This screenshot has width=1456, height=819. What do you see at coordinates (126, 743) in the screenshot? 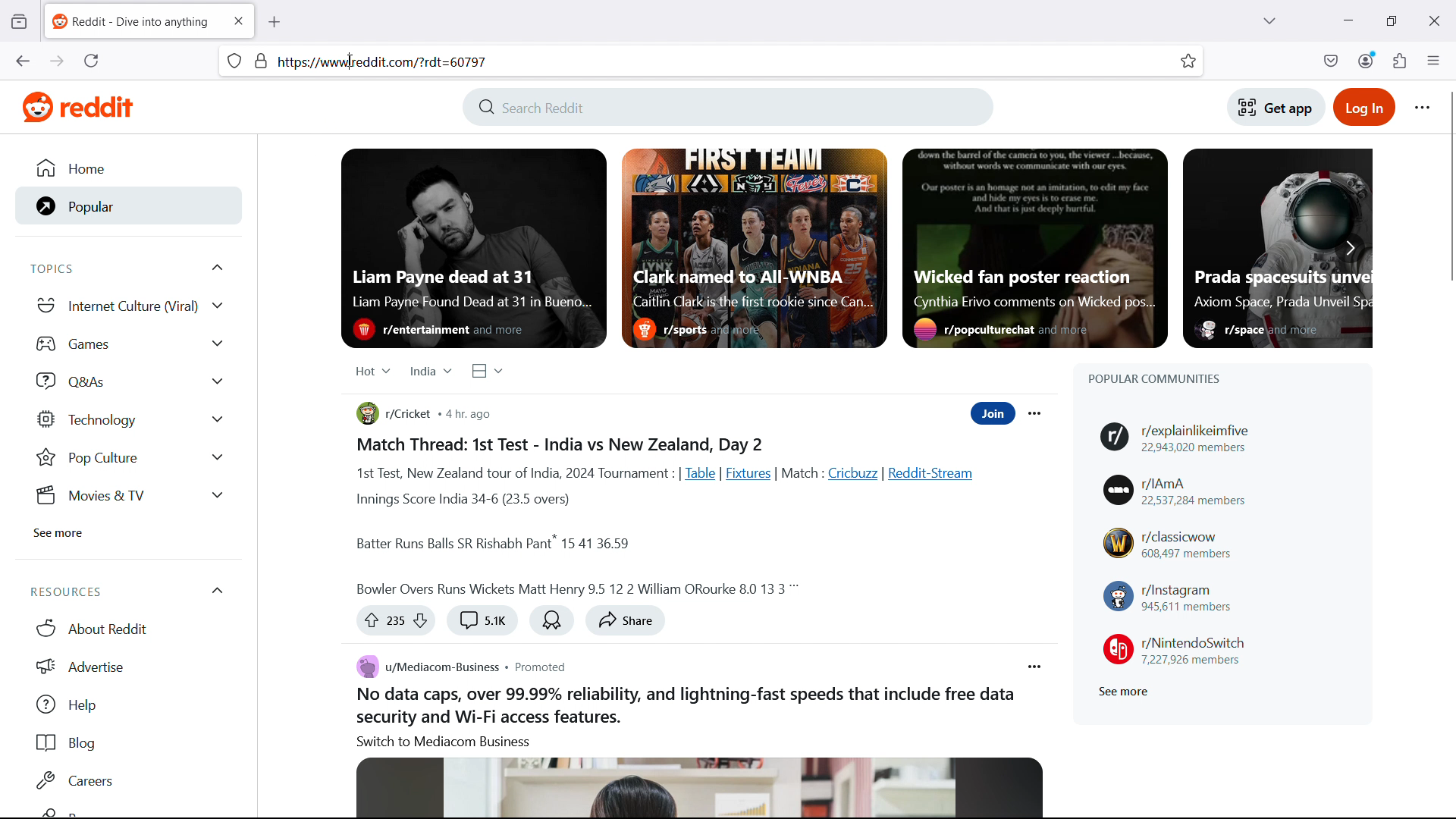
I see `Blog` at bounding box center [126, 743].